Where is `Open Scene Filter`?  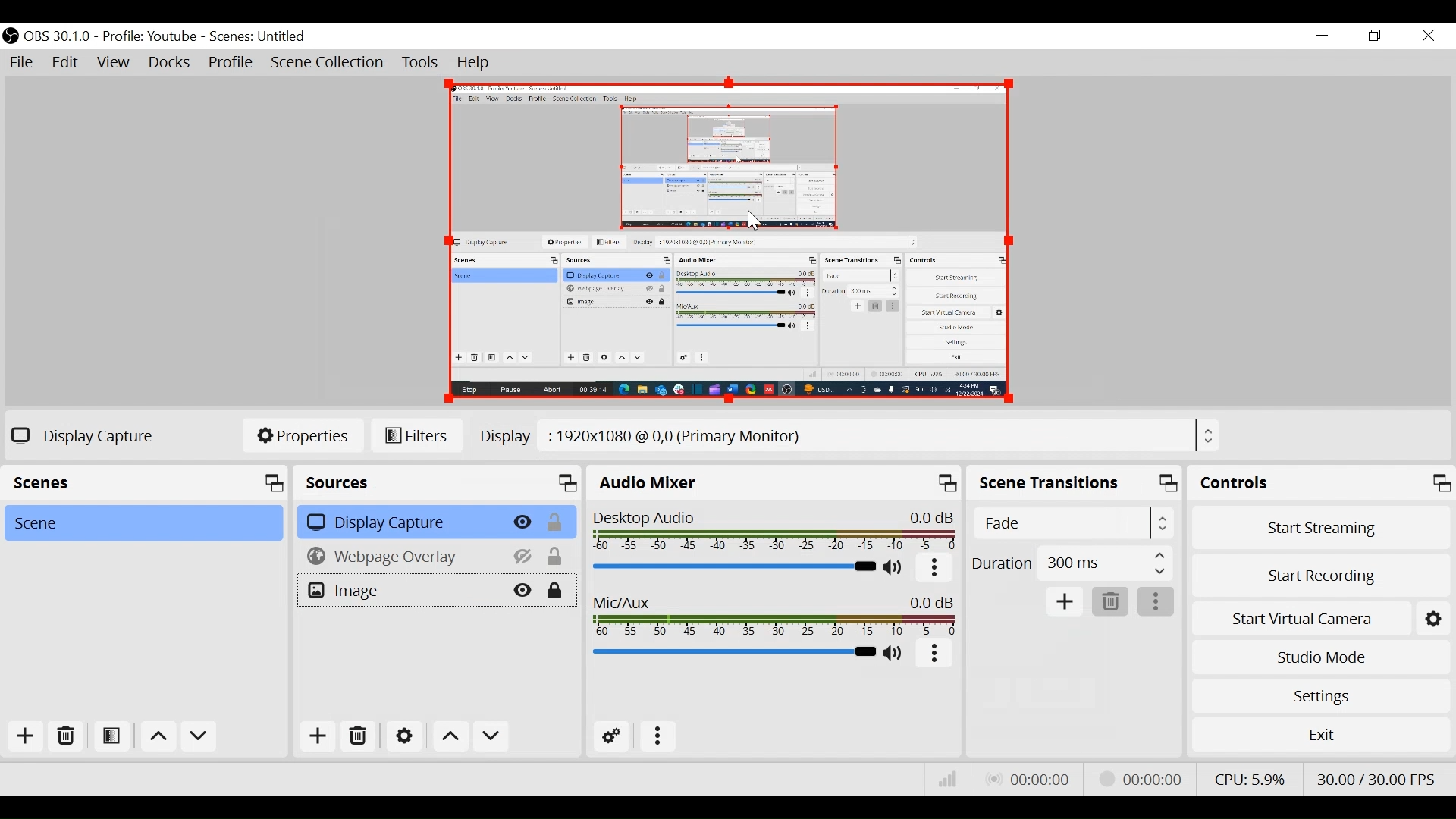 Open Scene Filter is located at coordinates (110, 737).